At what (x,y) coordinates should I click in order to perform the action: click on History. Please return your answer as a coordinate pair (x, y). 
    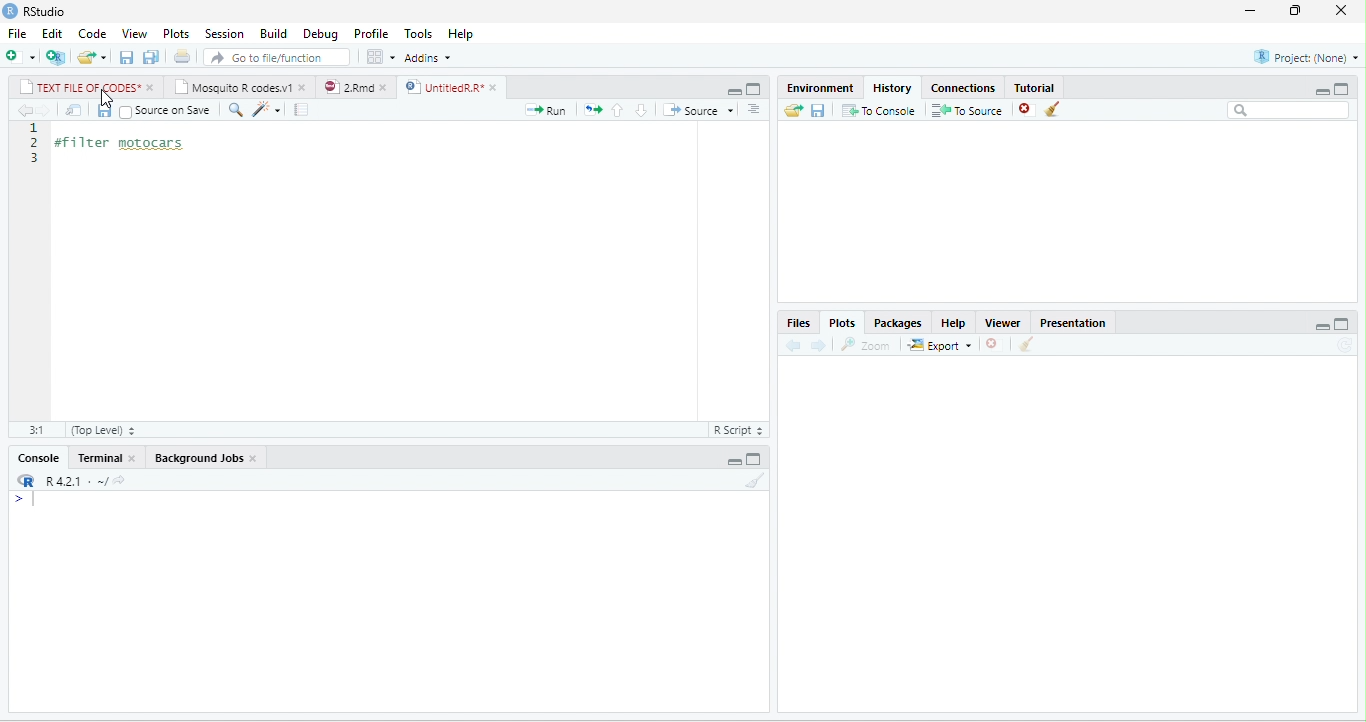
    Looking at the image, I should click on (892, 88).